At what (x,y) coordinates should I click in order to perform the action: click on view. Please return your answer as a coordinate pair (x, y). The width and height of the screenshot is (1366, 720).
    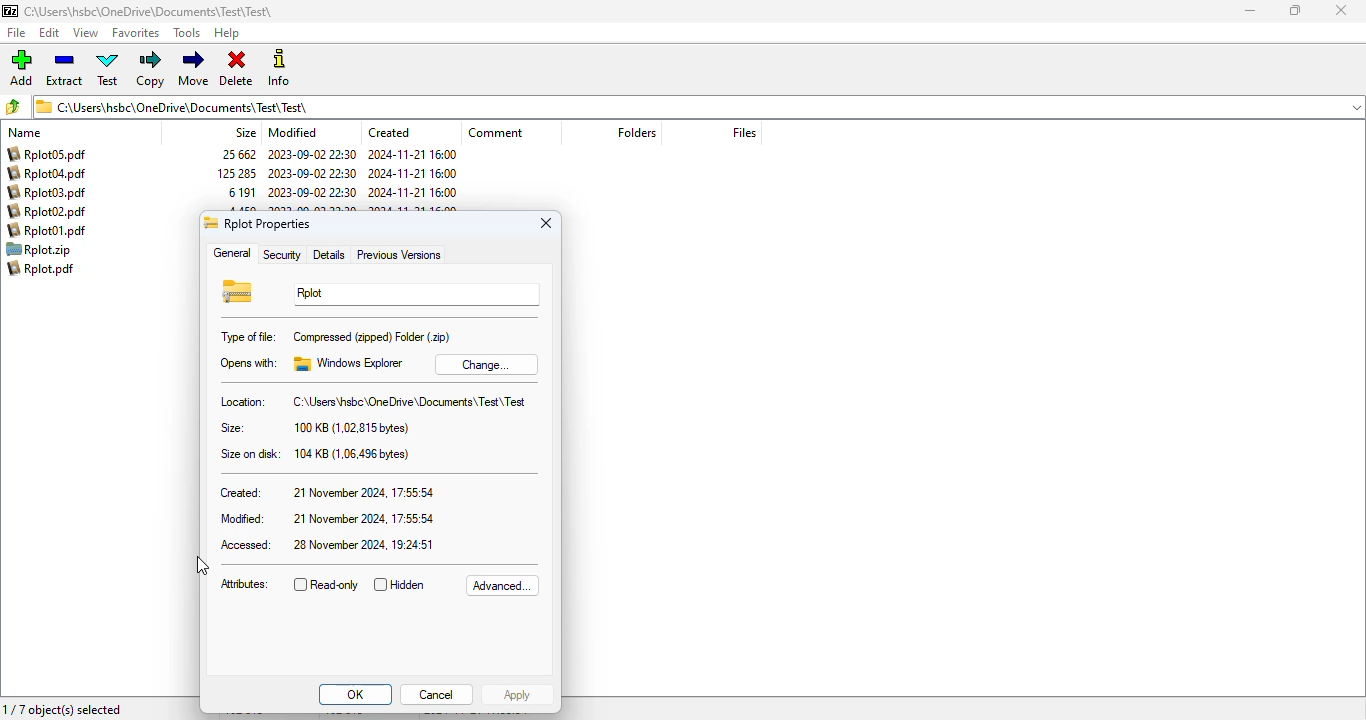
    Looking at the image, I should click on (85, 33).